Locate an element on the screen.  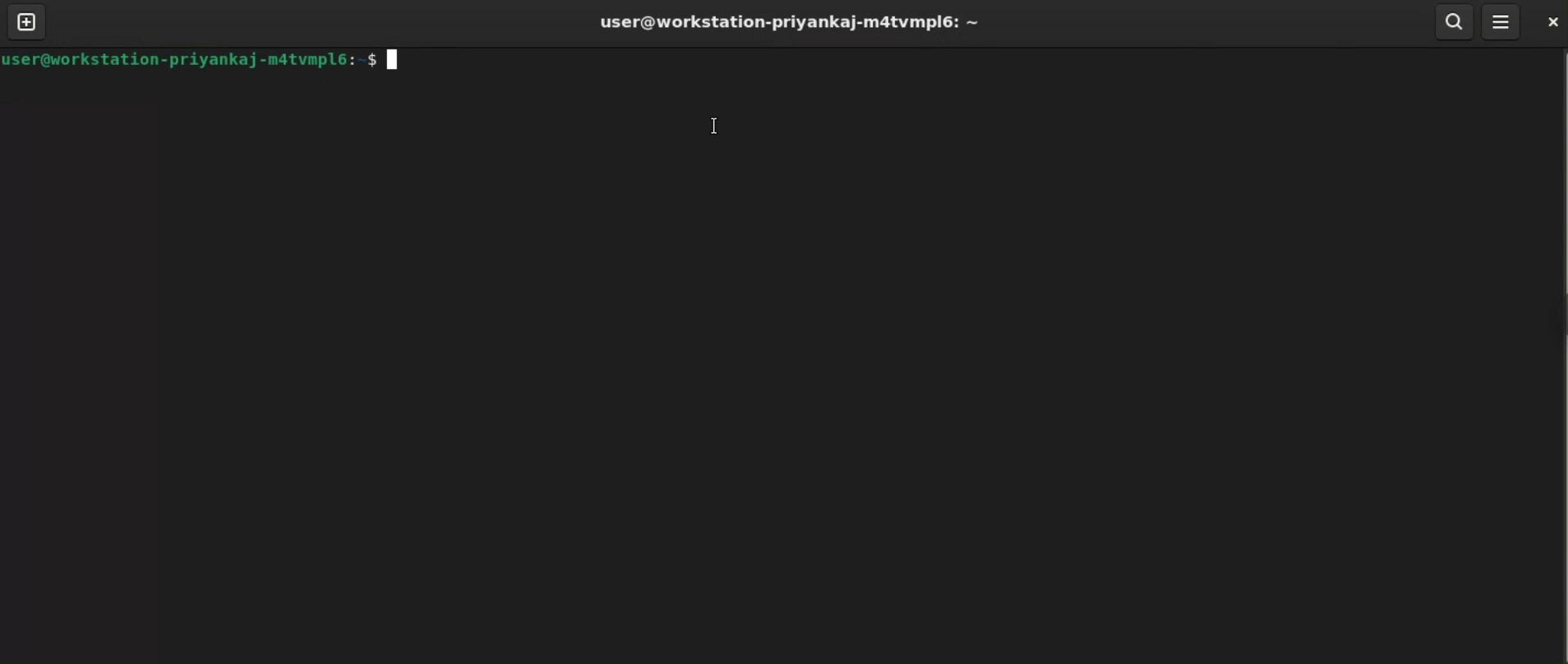
search is located at coordinates (1455, 21).